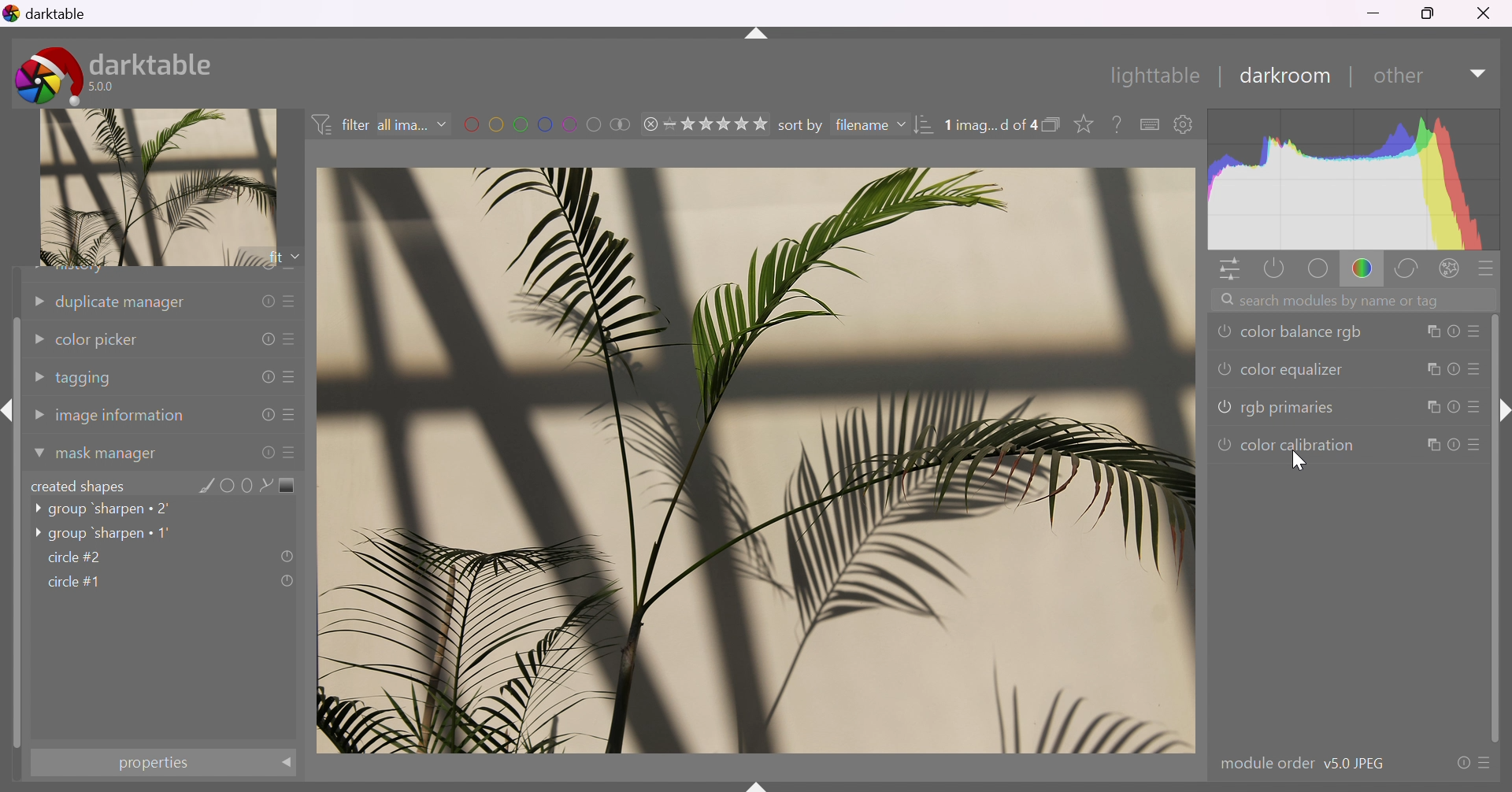 The width and height of the screenshot is (1512, 792). I want to click on base, so click(1321, 268).